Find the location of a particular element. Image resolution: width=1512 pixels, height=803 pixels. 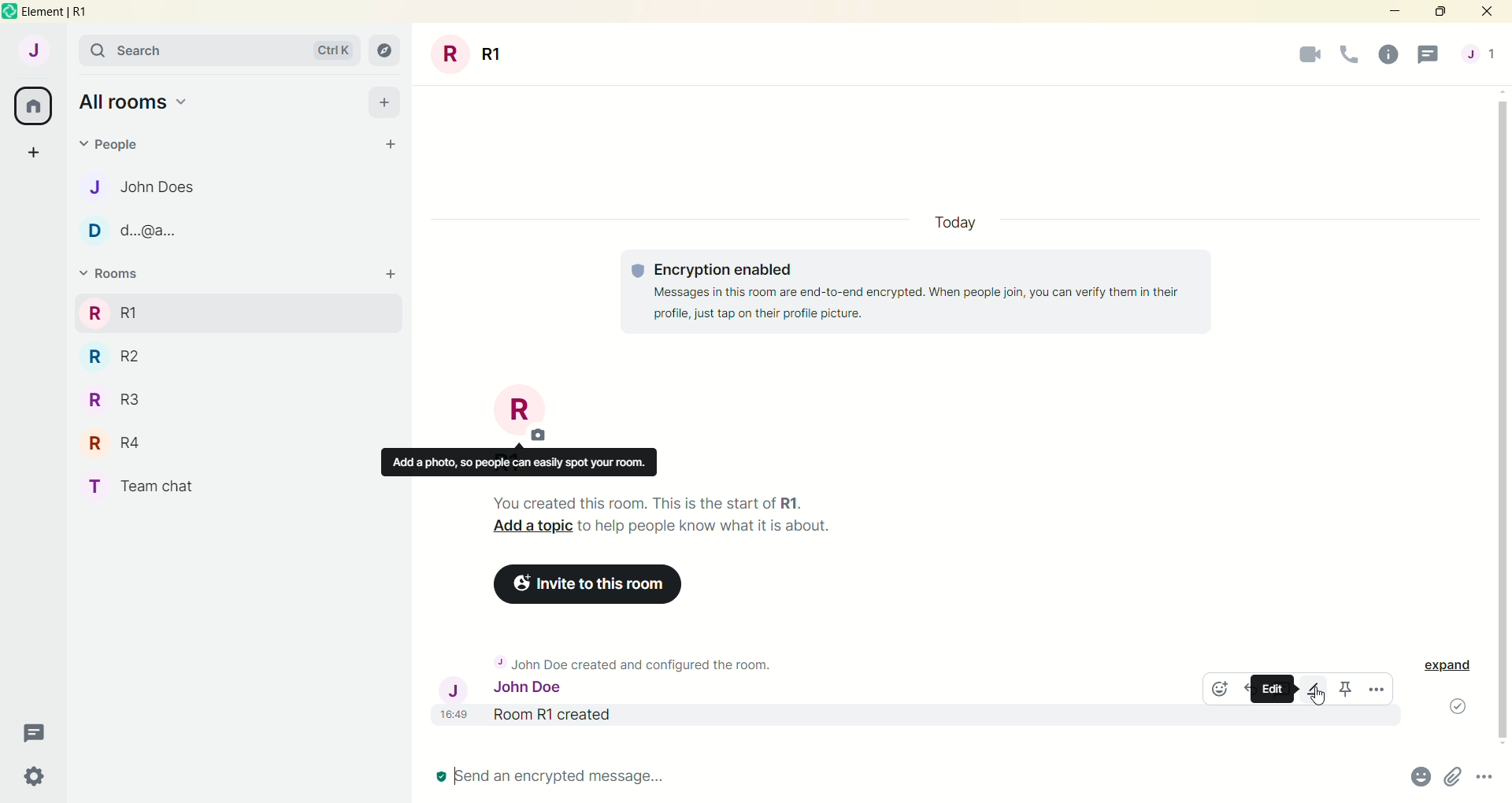

R R2 is located at coordinates (138, 354).